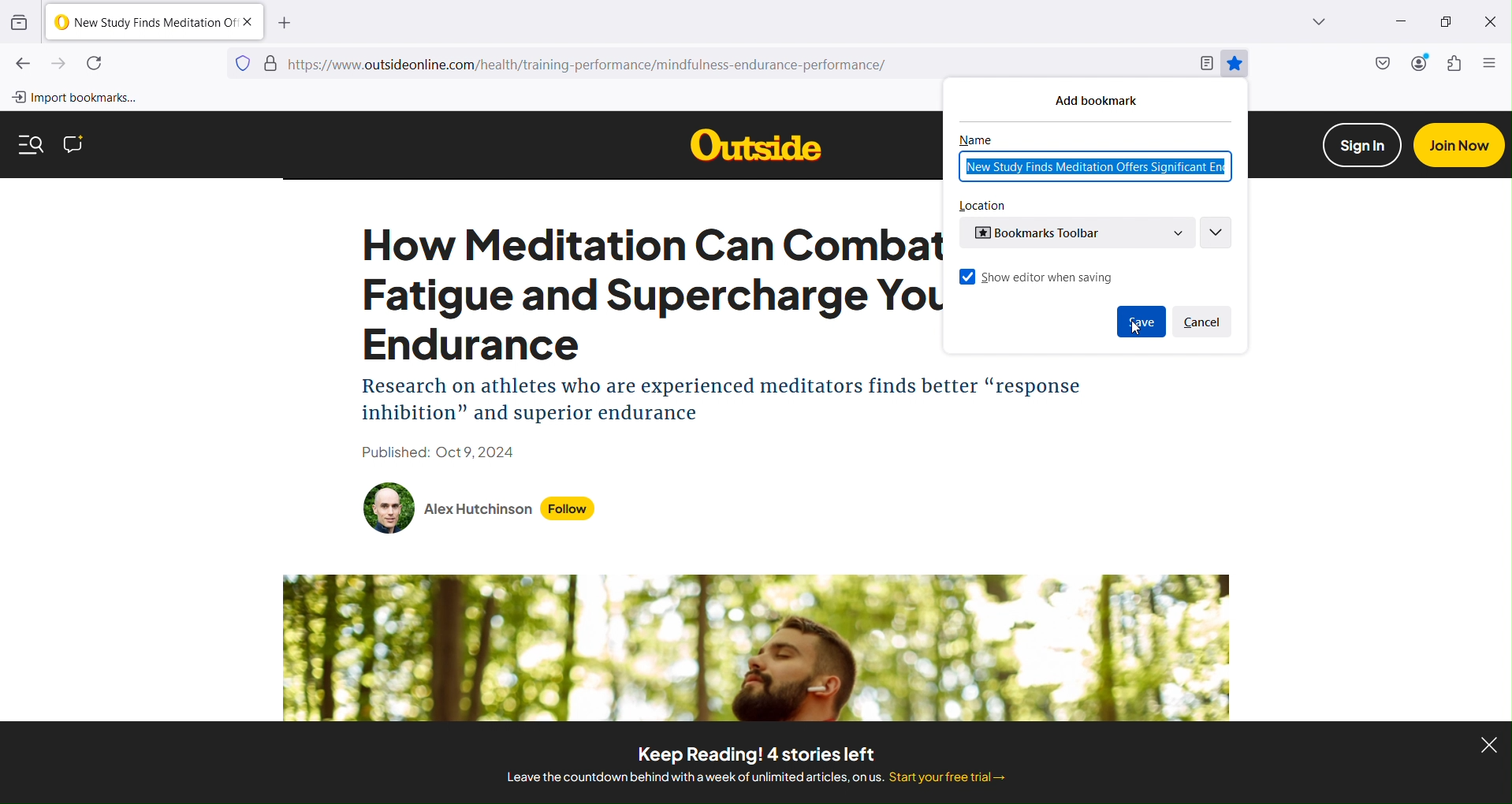 The width and height of the screenshot is (1512, 804). I want to click on Close, so click(1492, 24).